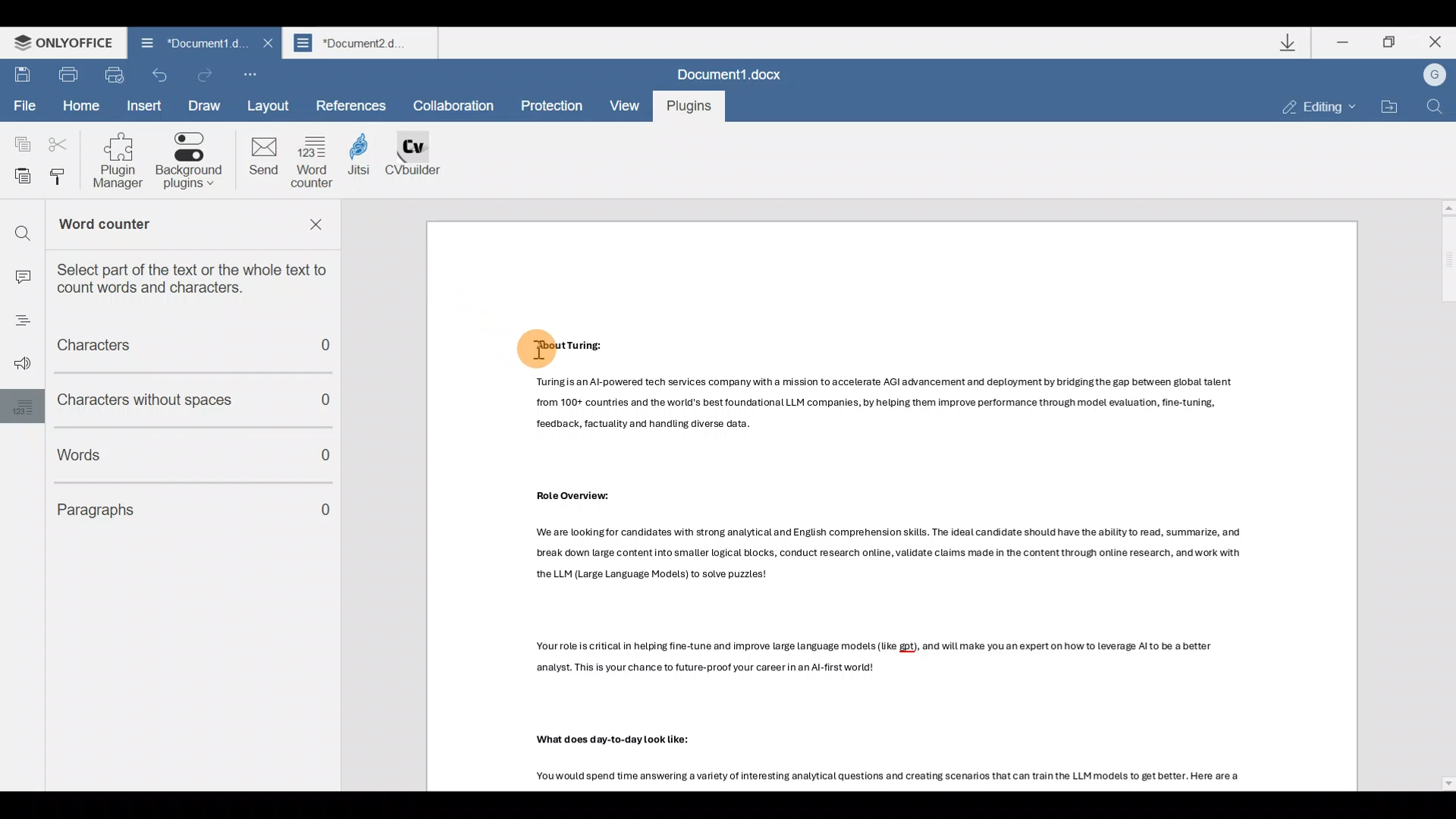  What do you see at coordinates (22, 227) in the screenshot?
I see `search` at bounding box center [22, 227].